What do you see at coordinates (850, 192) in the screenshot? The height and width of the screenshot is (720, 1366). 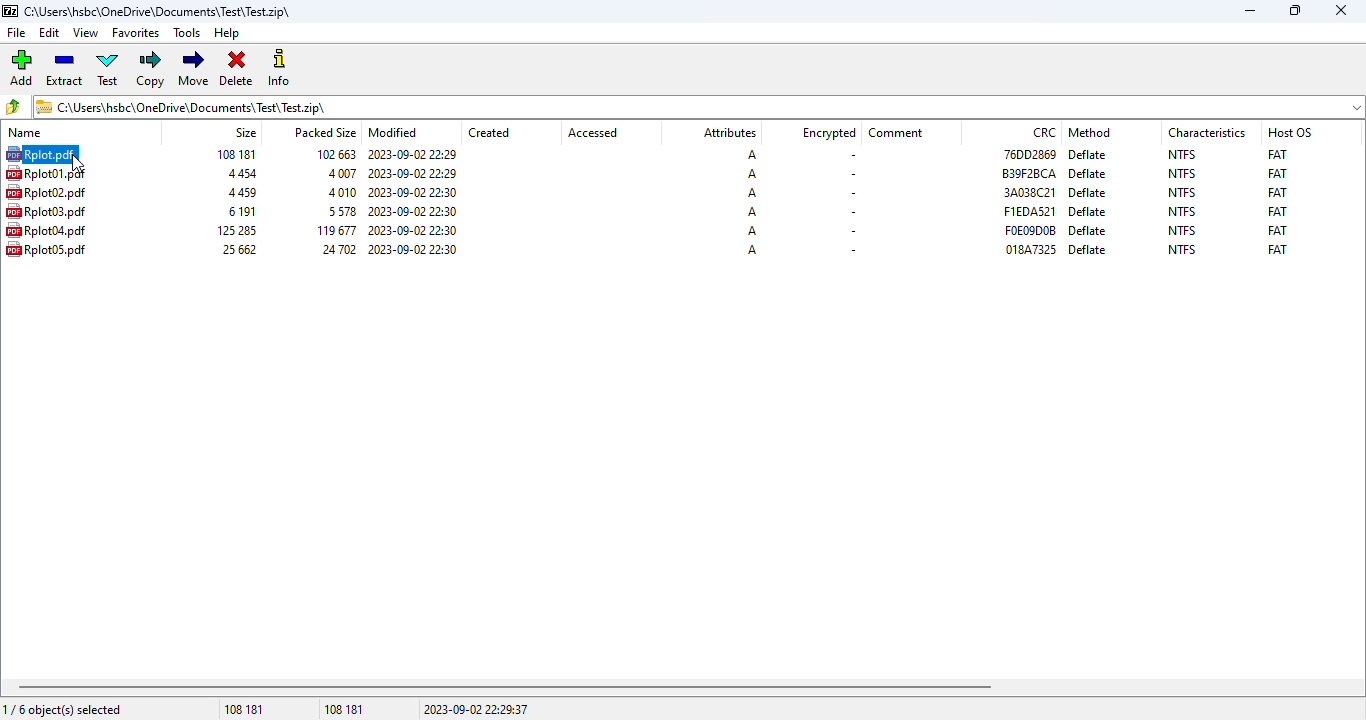 I see `-` at bounding box center [850, 192].